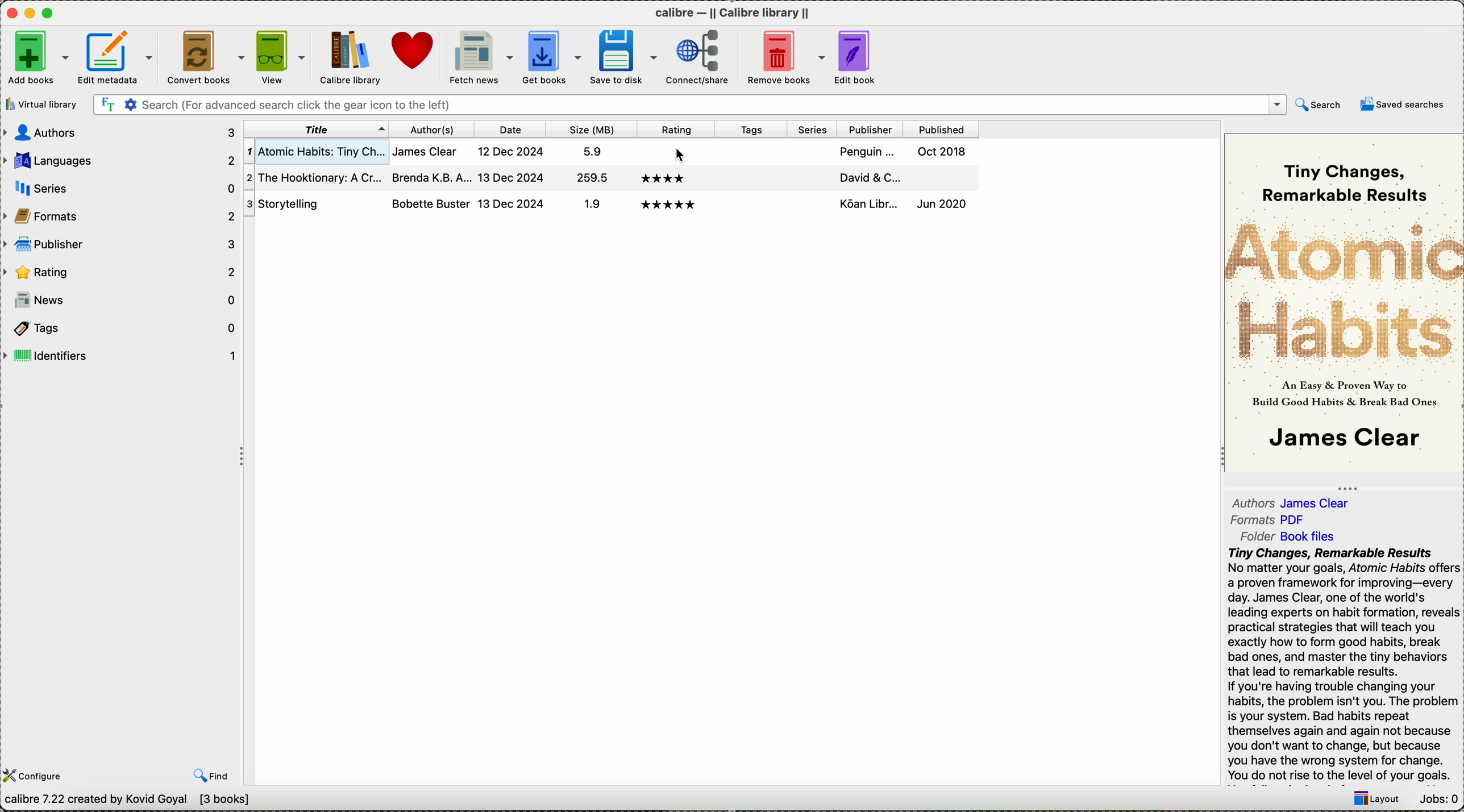 The width and height of the screenshot is (1464, 812). I want to click on remove books, so click(784, 57).